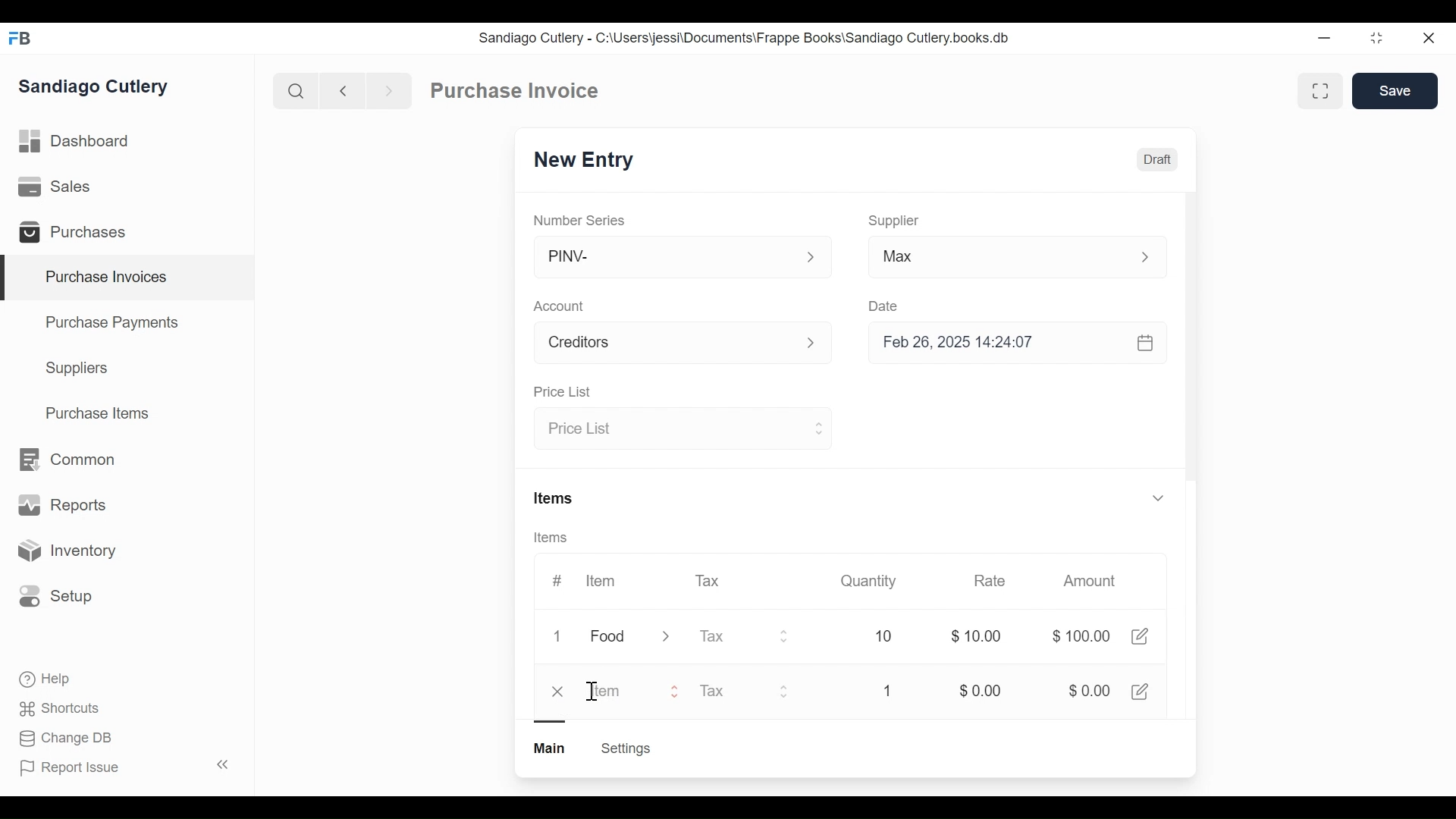 Image resolution: width=1456 pixels, height=819 pixels. I want to click on Date, so click(884, 306).